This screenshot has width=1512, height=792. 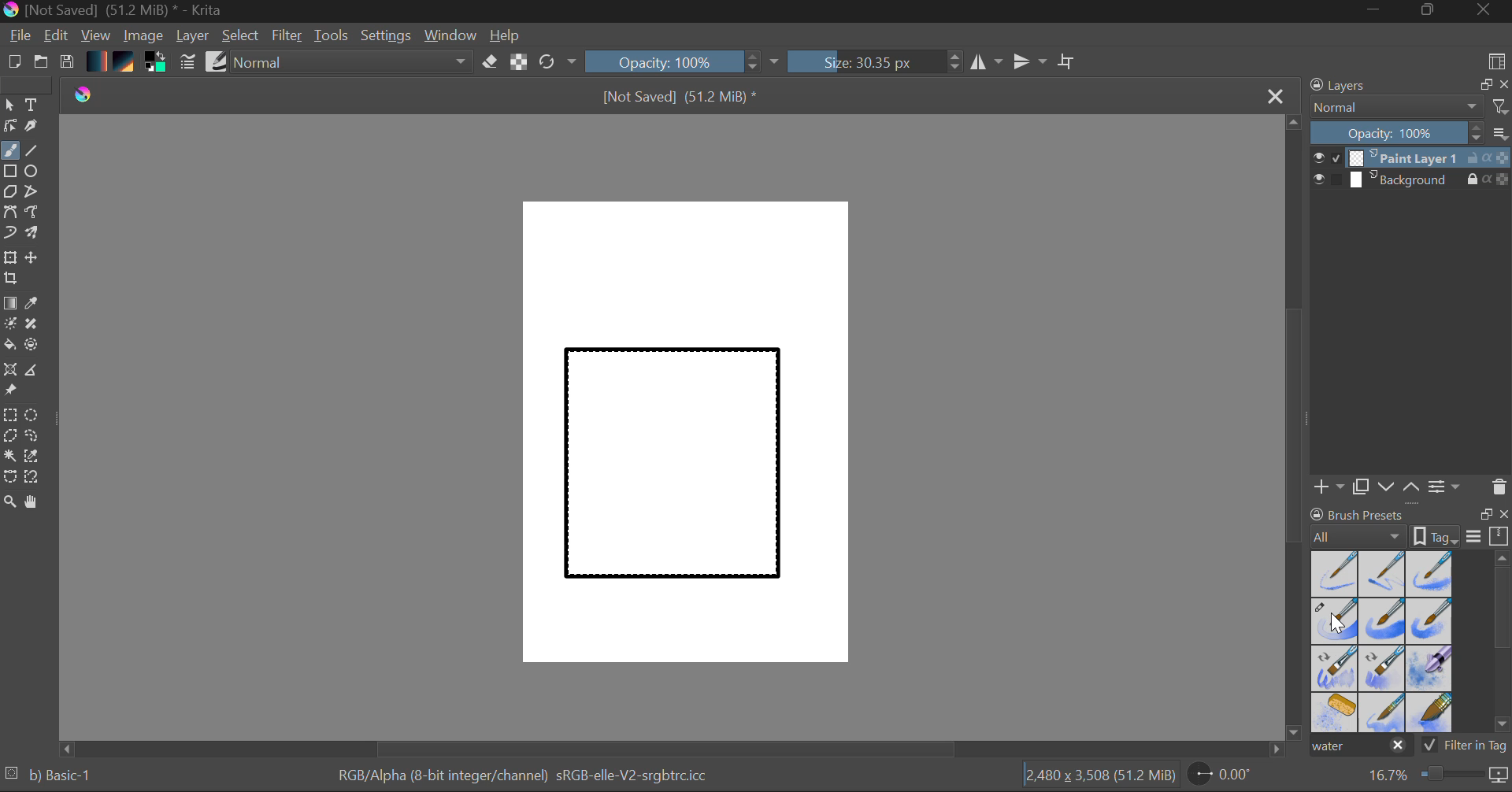 I want to click on Layer 1, so click(x=1412, y=160).